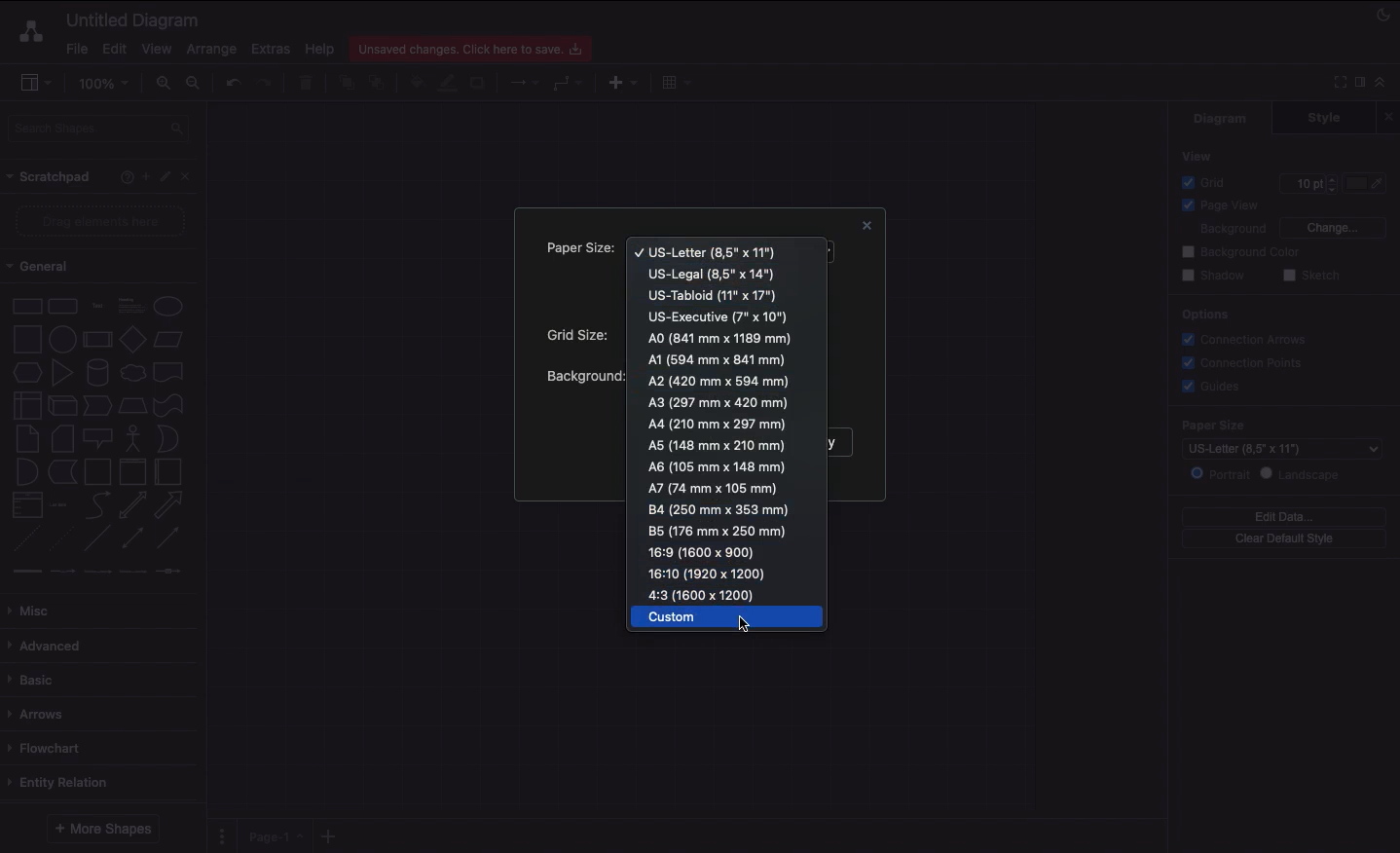  I want to click on Guides, so click(1214, 388).